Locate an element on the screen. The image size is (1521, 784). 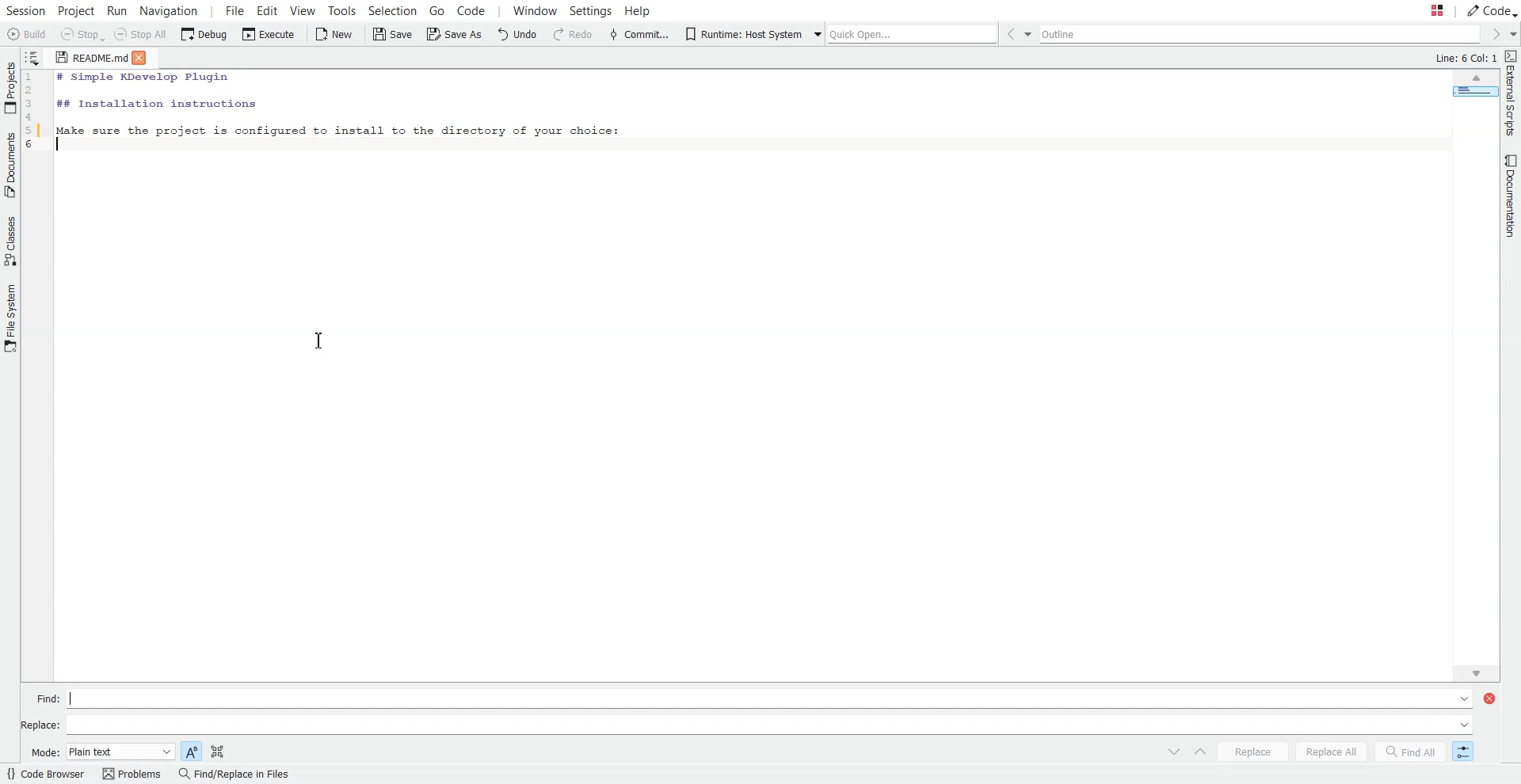
Find/Replace in Files is located at coordinates (233, 774).